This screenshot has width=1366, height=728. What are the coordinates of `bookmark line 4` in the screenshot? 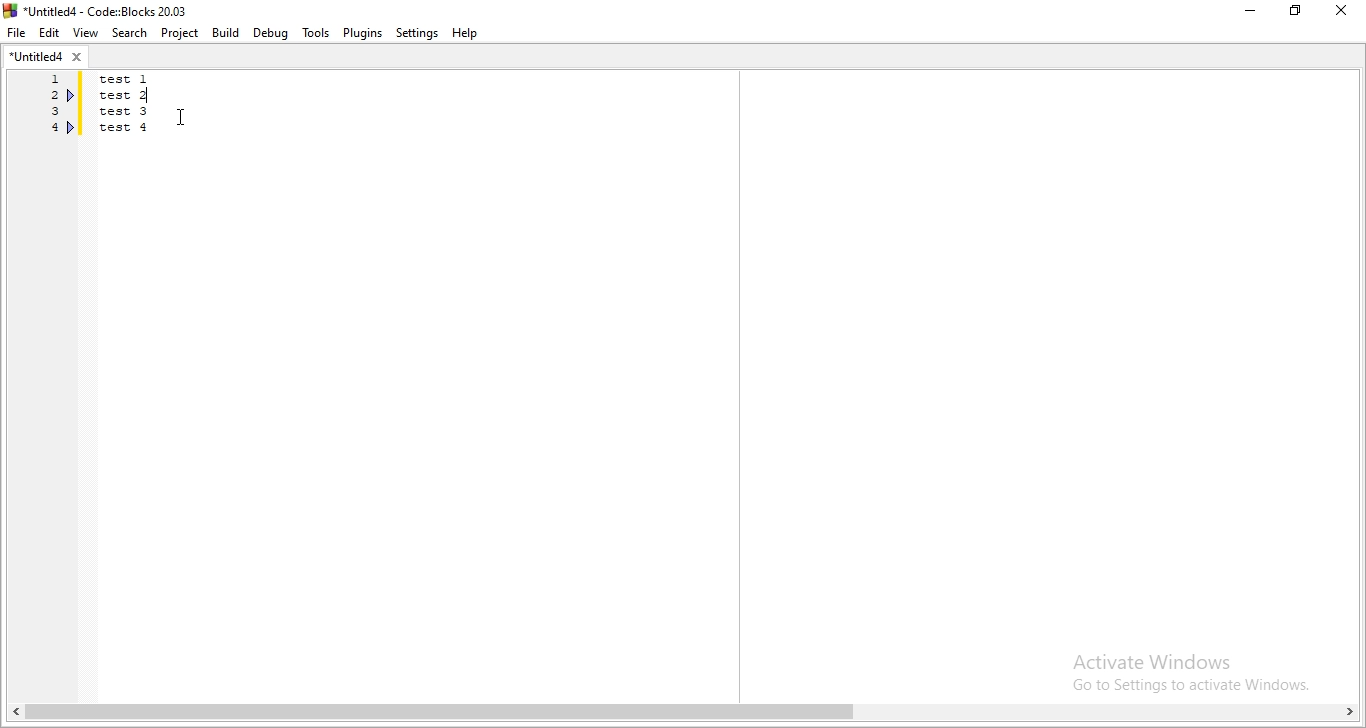 It's located at (71, 127).